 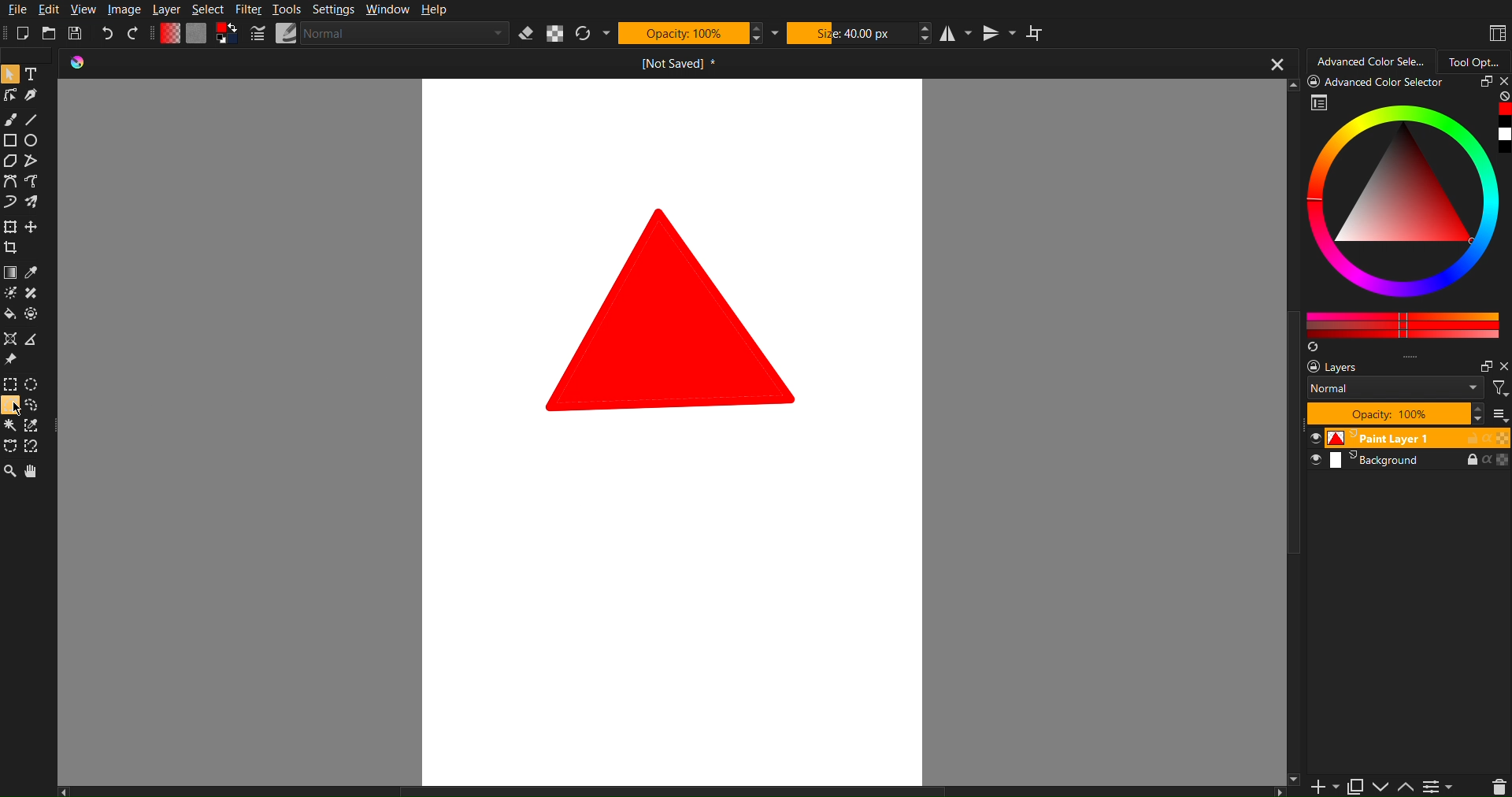 I want to click on Current Document, so click(x=683, y=66).